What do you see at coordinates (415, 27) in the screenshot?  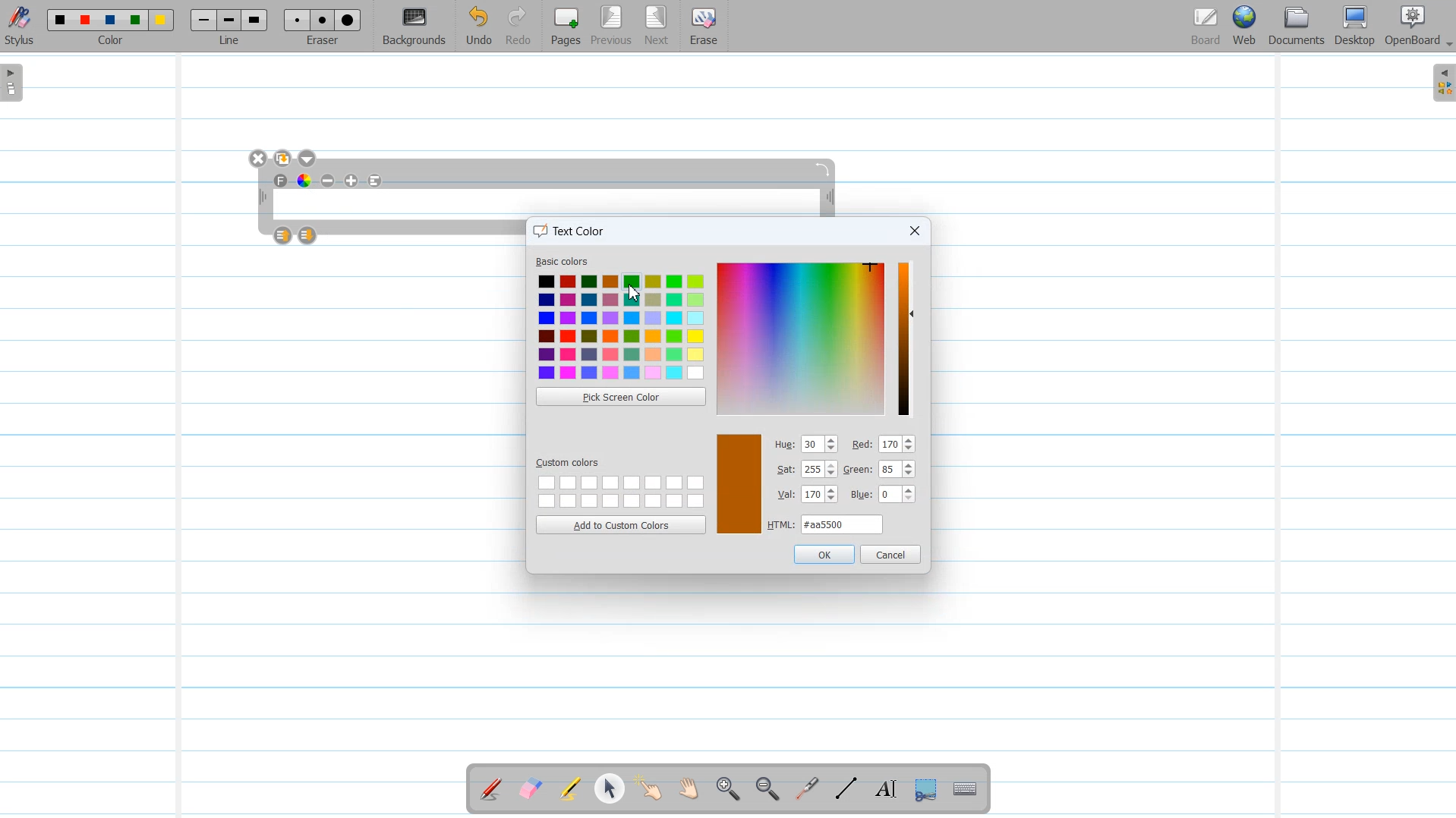 I see `Background` at bounding box center [415, 27].